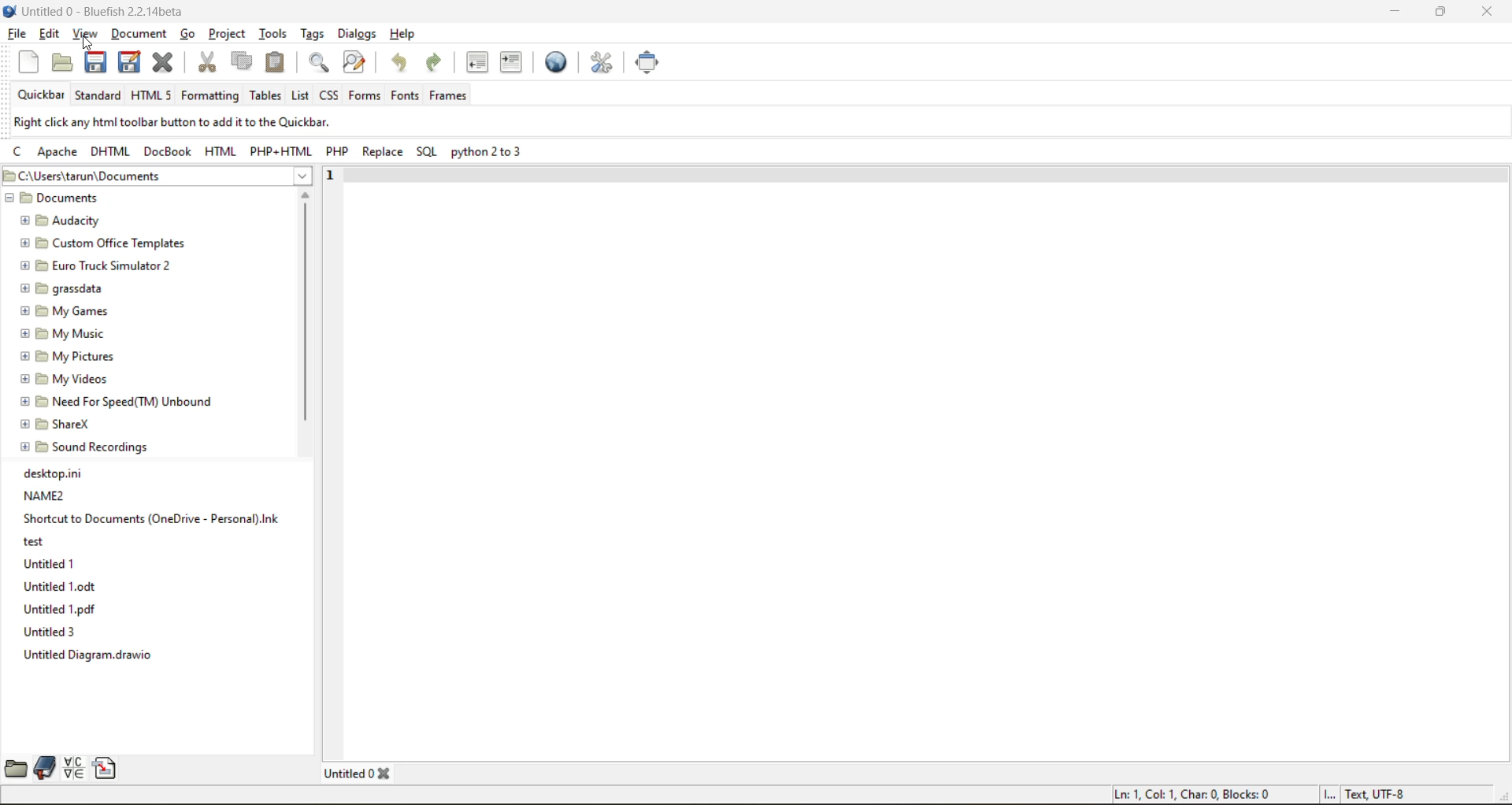  I want to click on tab name, so click(360, 772).